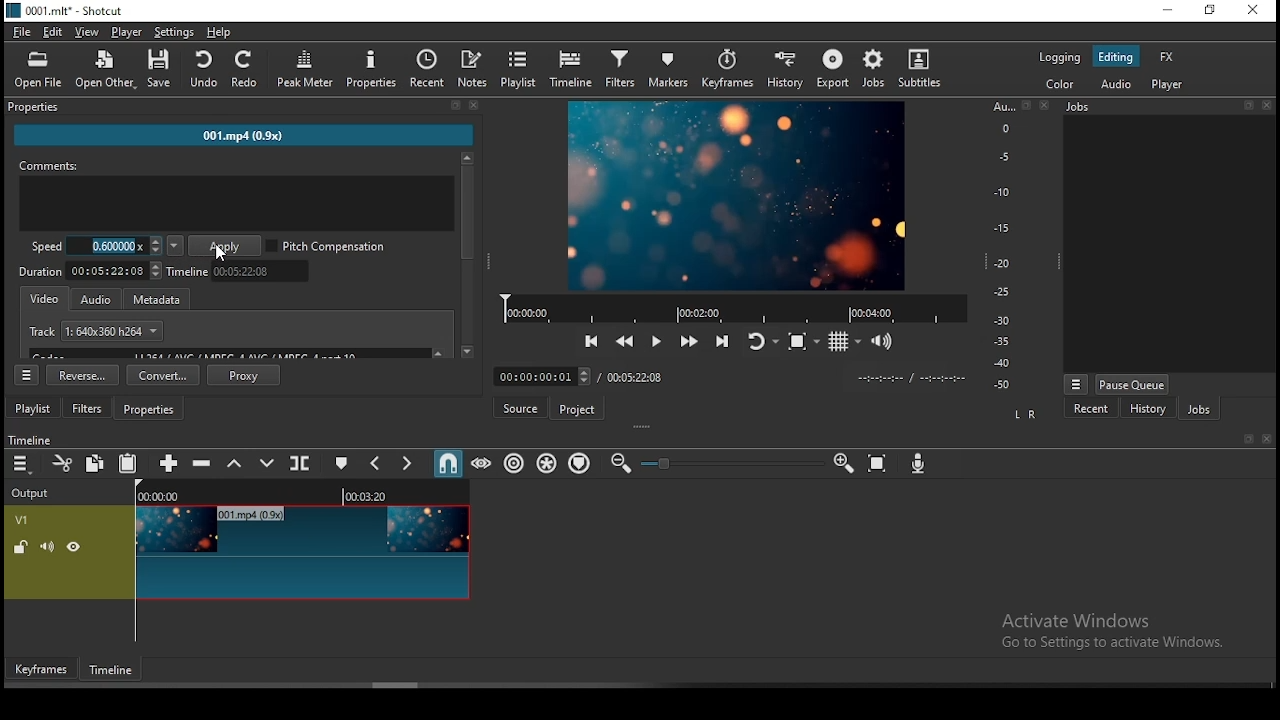 The image size is (1280, 720). Describe the element at coordinates (871, 71) in the screenshot. I see `jobs` at that location.